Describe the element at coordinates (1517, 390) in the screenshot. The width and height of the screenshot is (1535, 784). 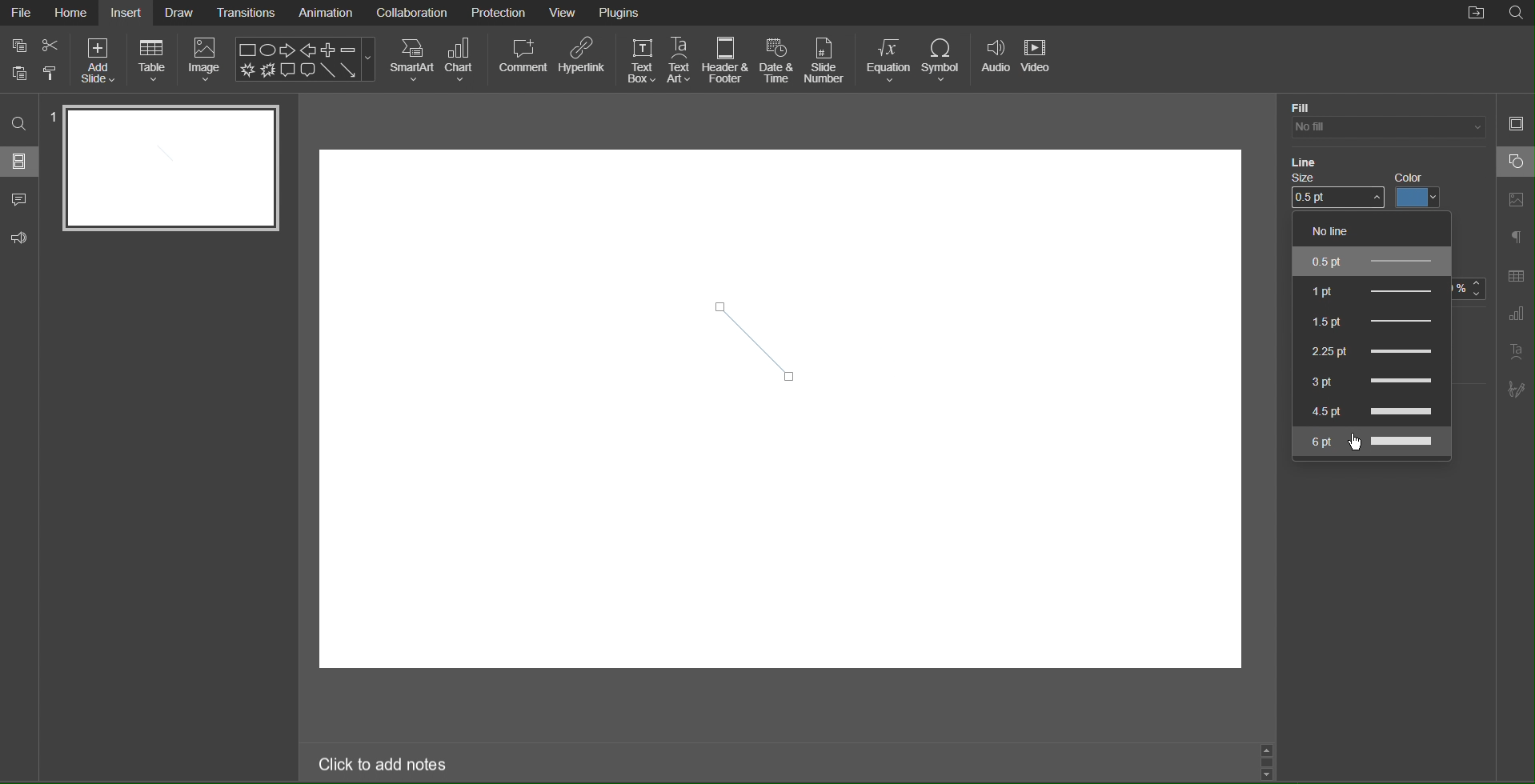
I see `Signature` at that location.